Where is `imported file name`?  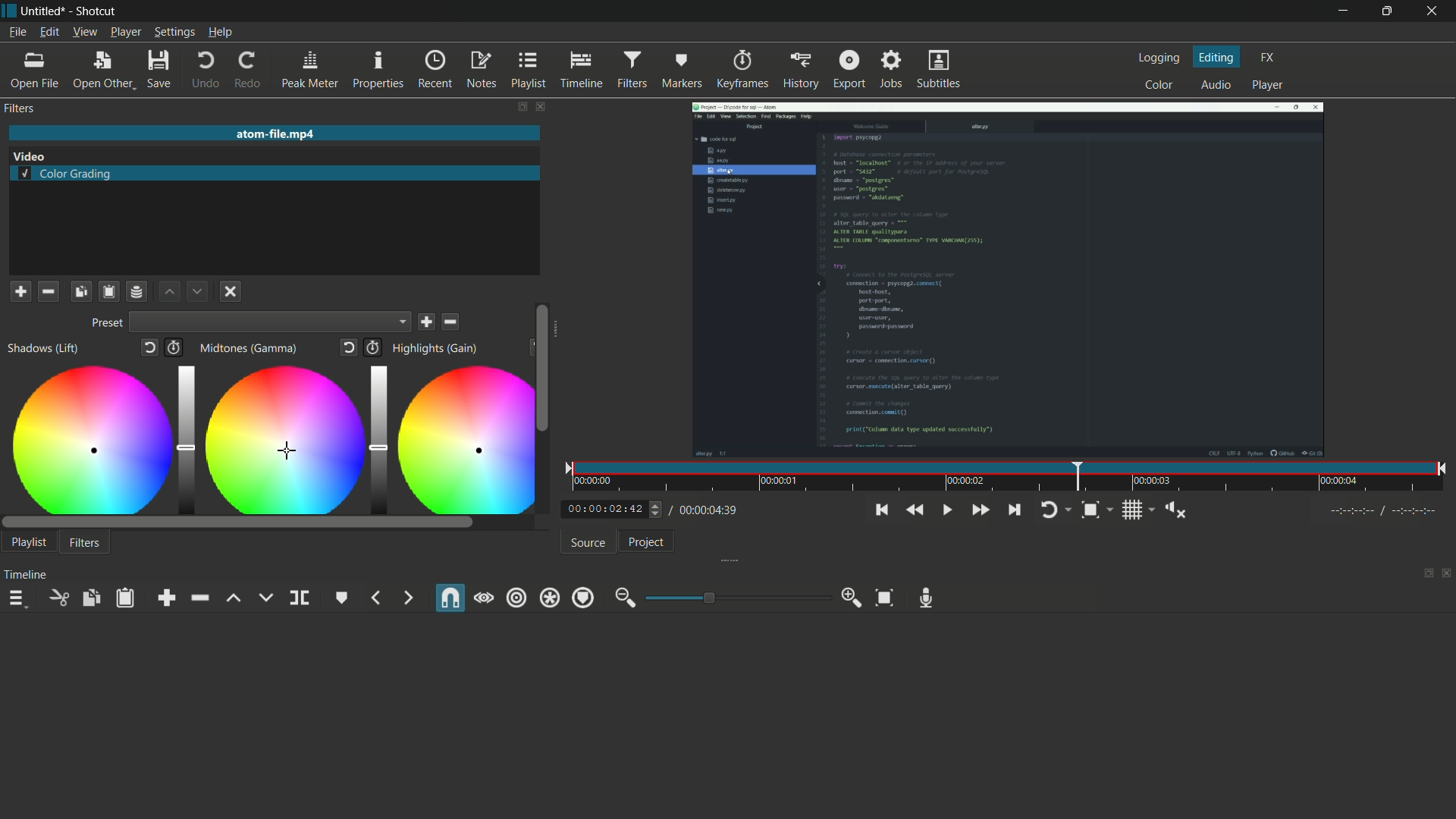 imported file name is located at coordinates (272, 134).